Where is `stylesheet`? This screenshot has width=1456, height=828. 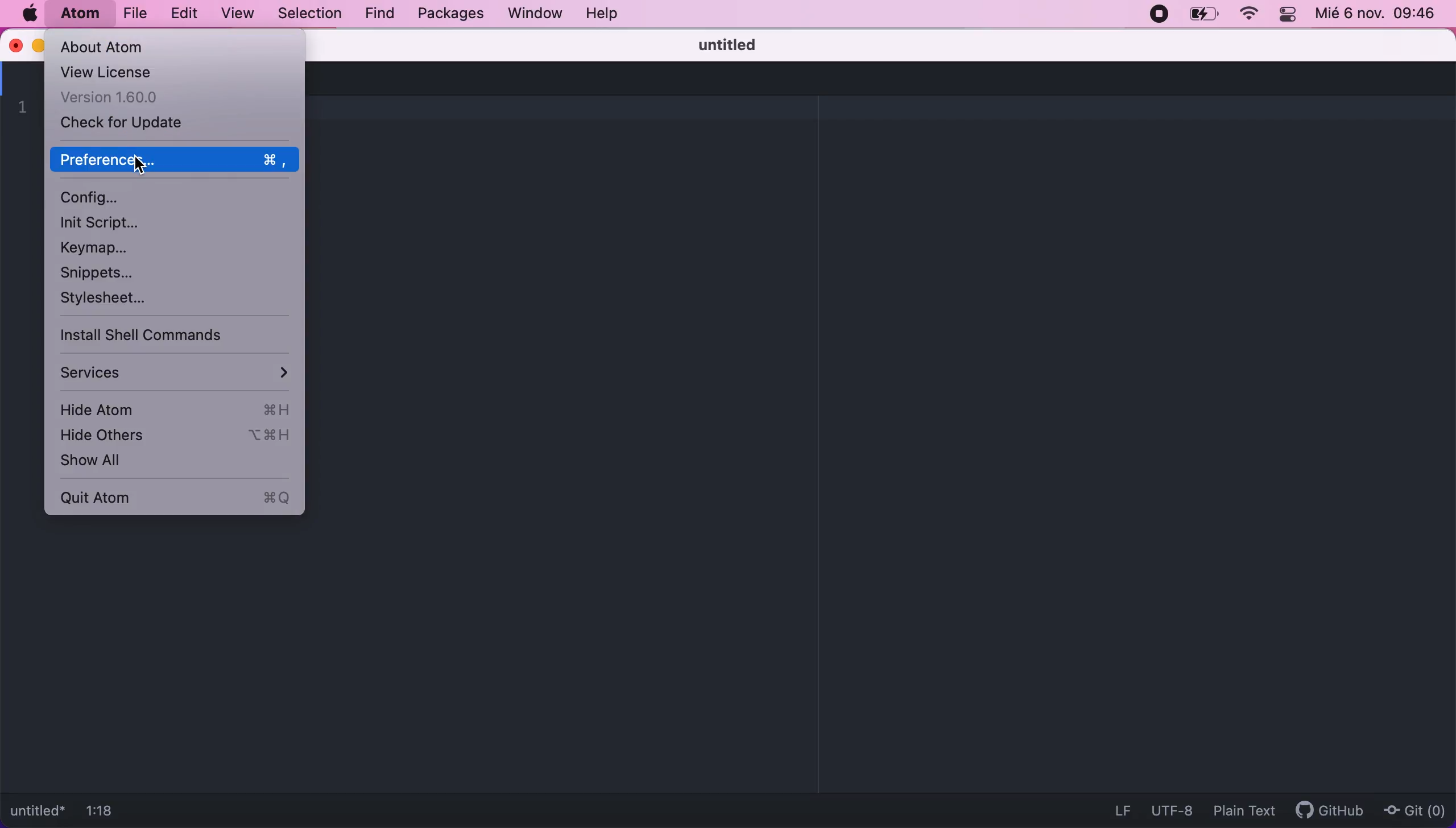 stylesheet is located at coordinates (127, 299).